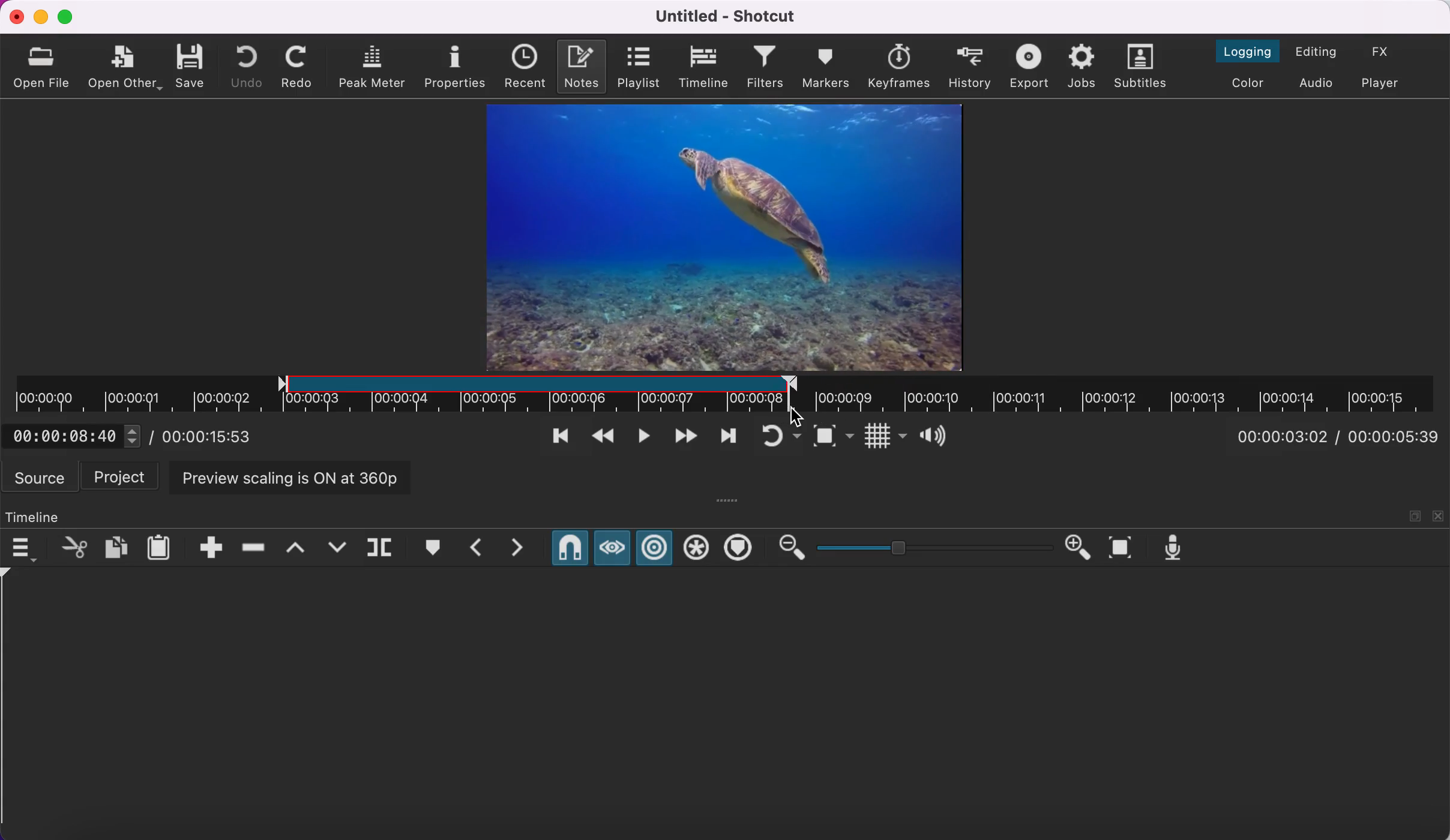  What do you see at coordinates (583, 66) in the screenshot?
I see `notes` at bounding box center [583, 66].